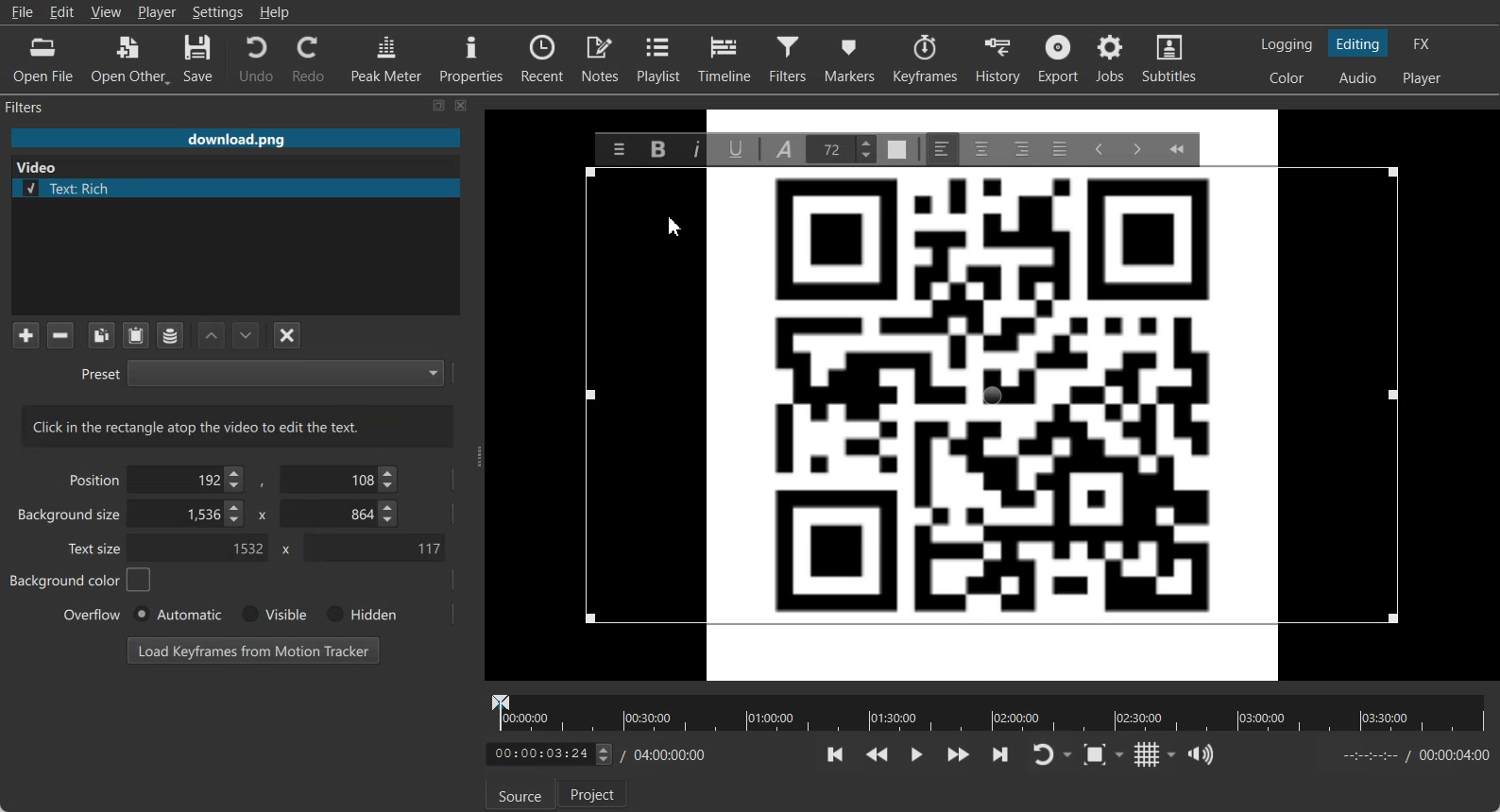  I want to click on x, so click(282, 550).